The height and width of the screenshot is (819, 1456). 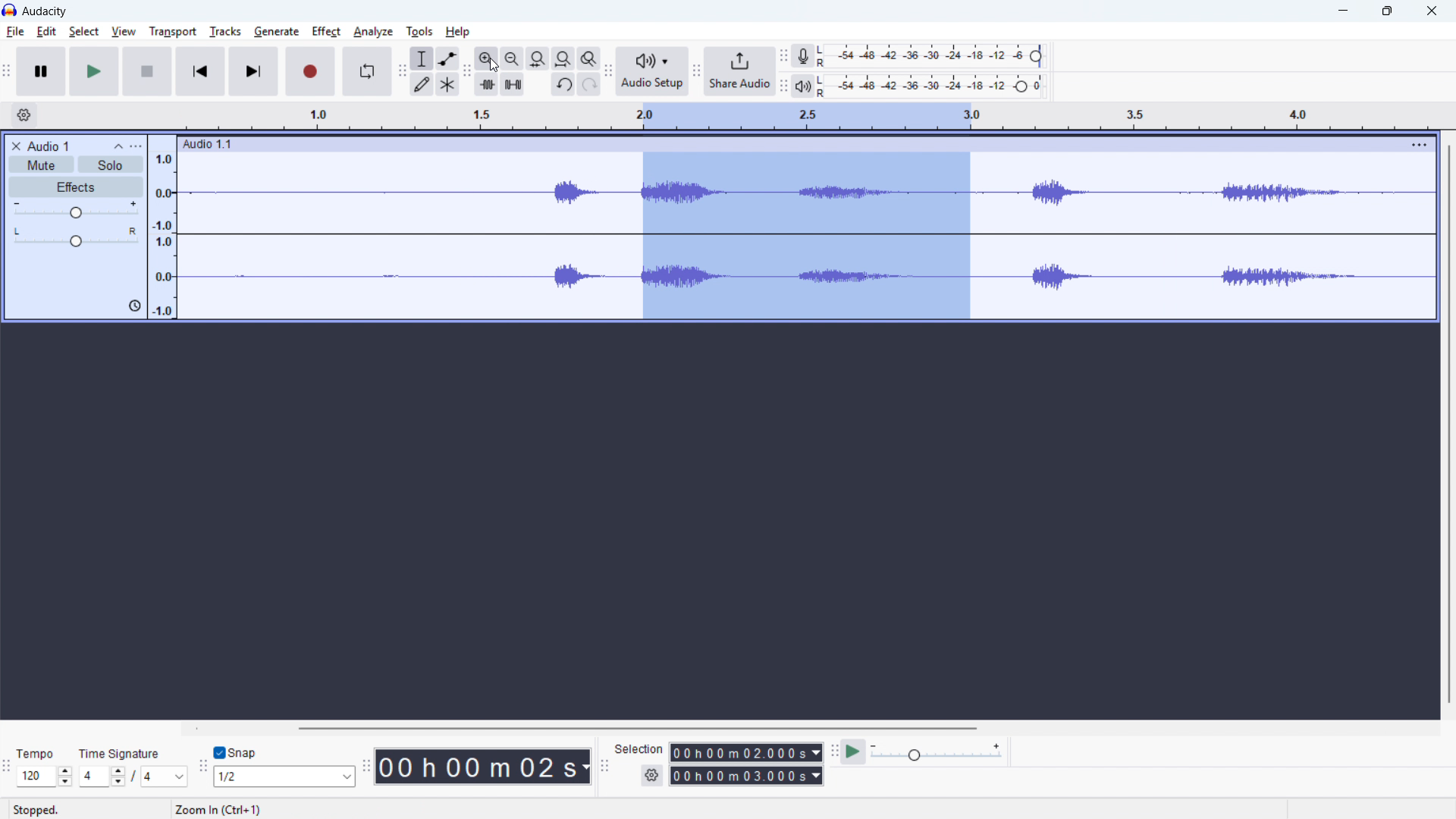 What do you see at coordinates (854, 752) in the screenshot?
I see `Play at speed ` at bounding box center [854, 752].